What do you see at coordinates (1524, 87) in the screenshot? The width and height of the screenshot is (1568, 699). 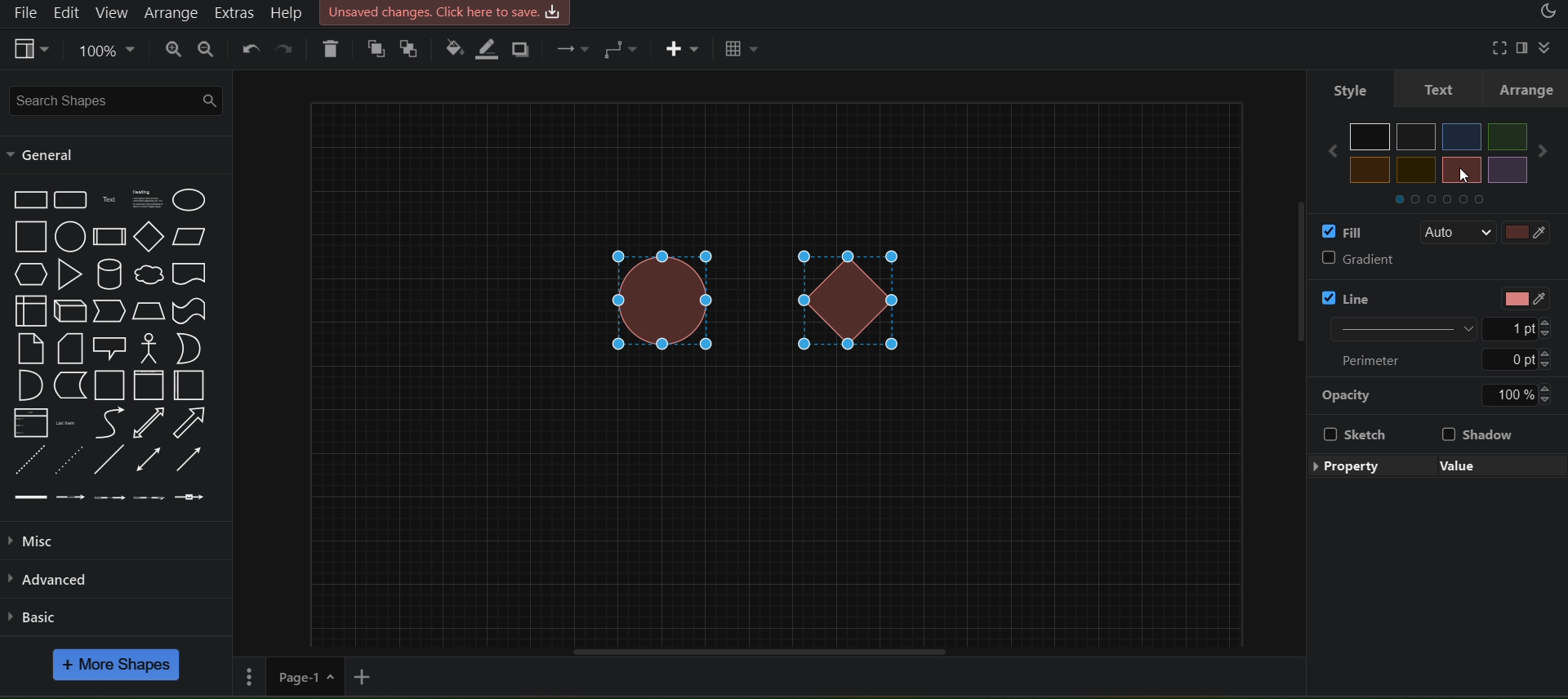 I see `arrange` at bounding box center [1524, 87].